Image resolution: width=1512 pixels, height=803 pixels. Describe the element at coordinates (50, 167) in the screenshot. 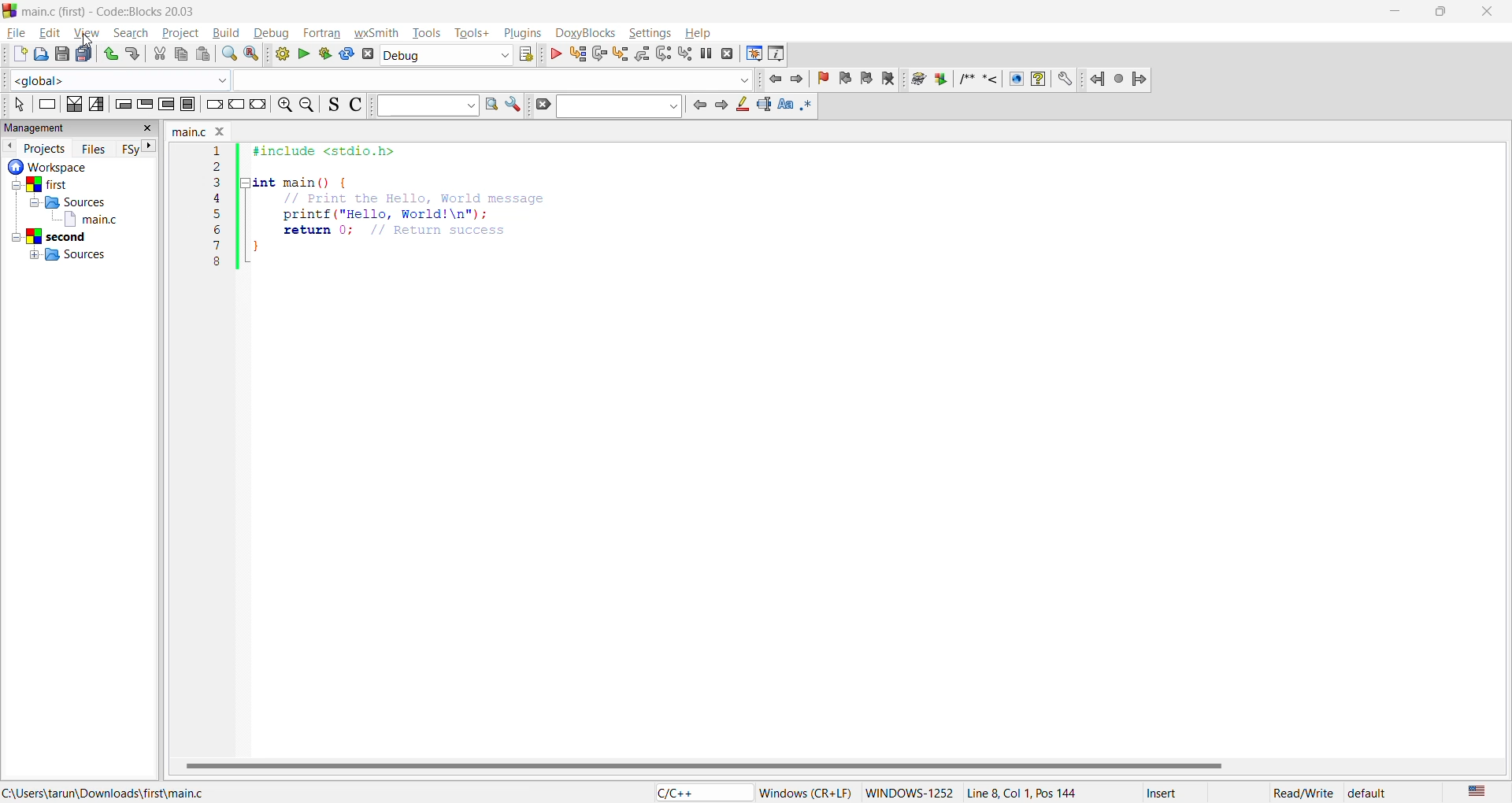

I see `workspace` at that location.